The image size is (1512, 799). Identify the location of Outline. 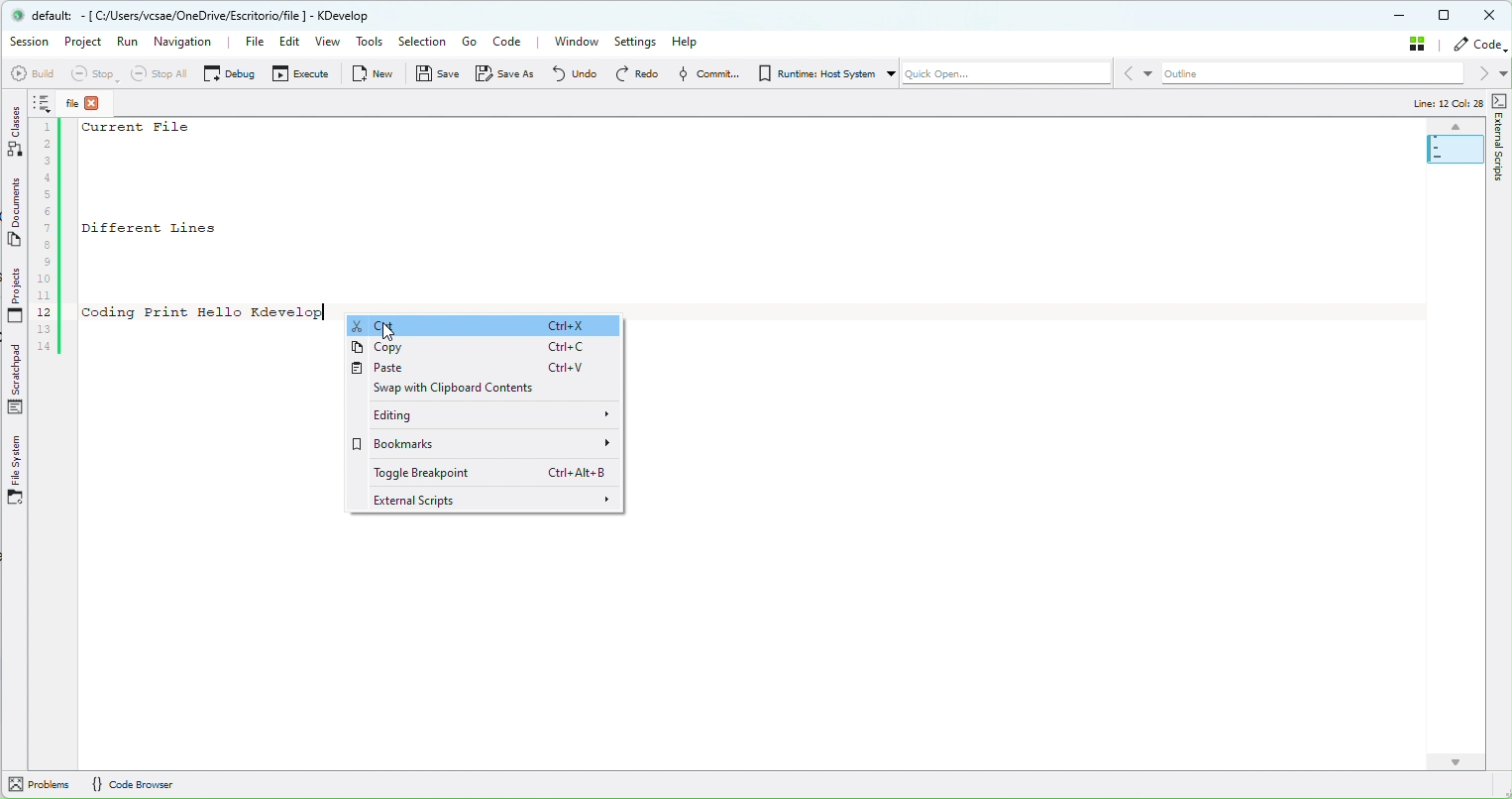
(1314, 75).